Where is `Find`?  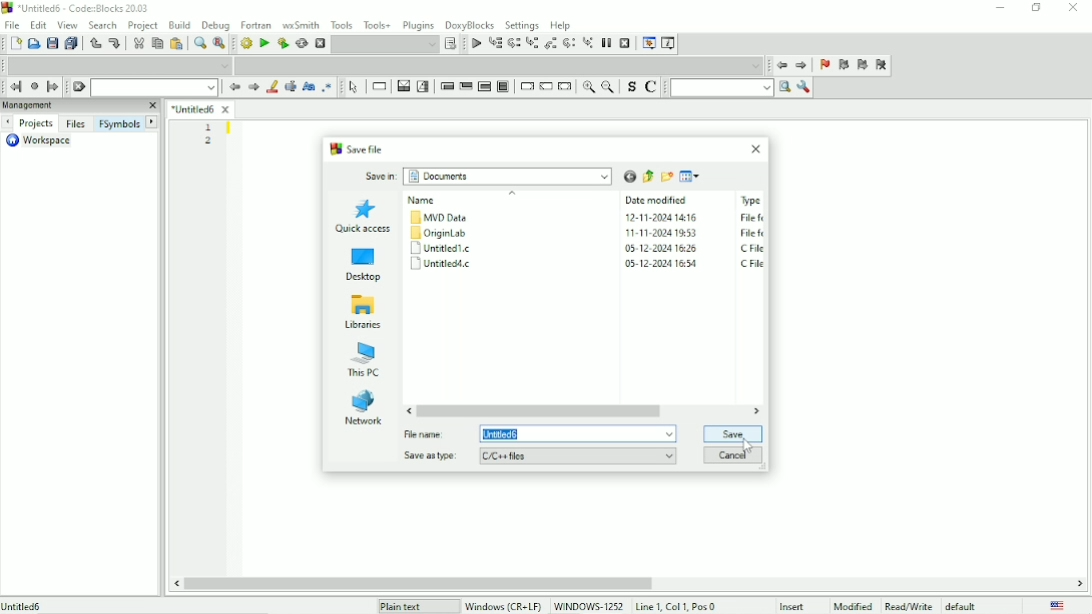 Find is located at coordinates (198, 44).